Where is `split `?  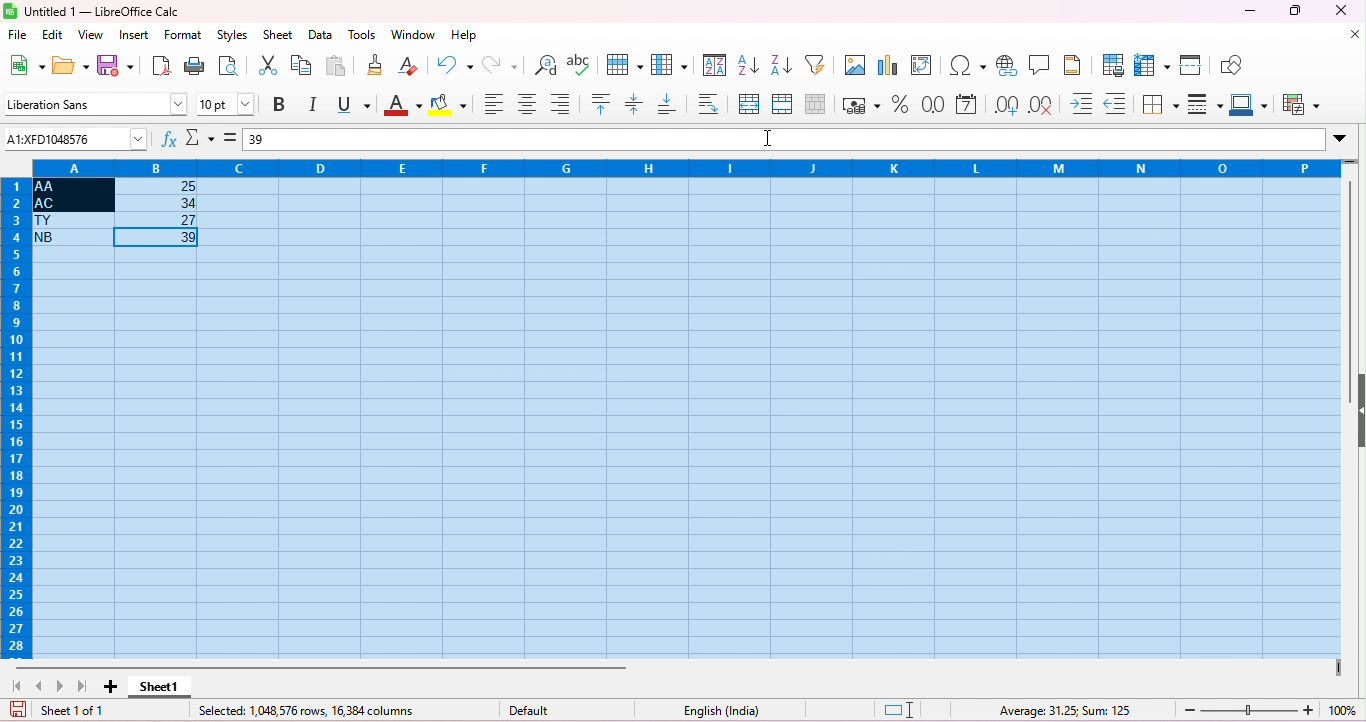
split  is located at coordinates (1193, 64).